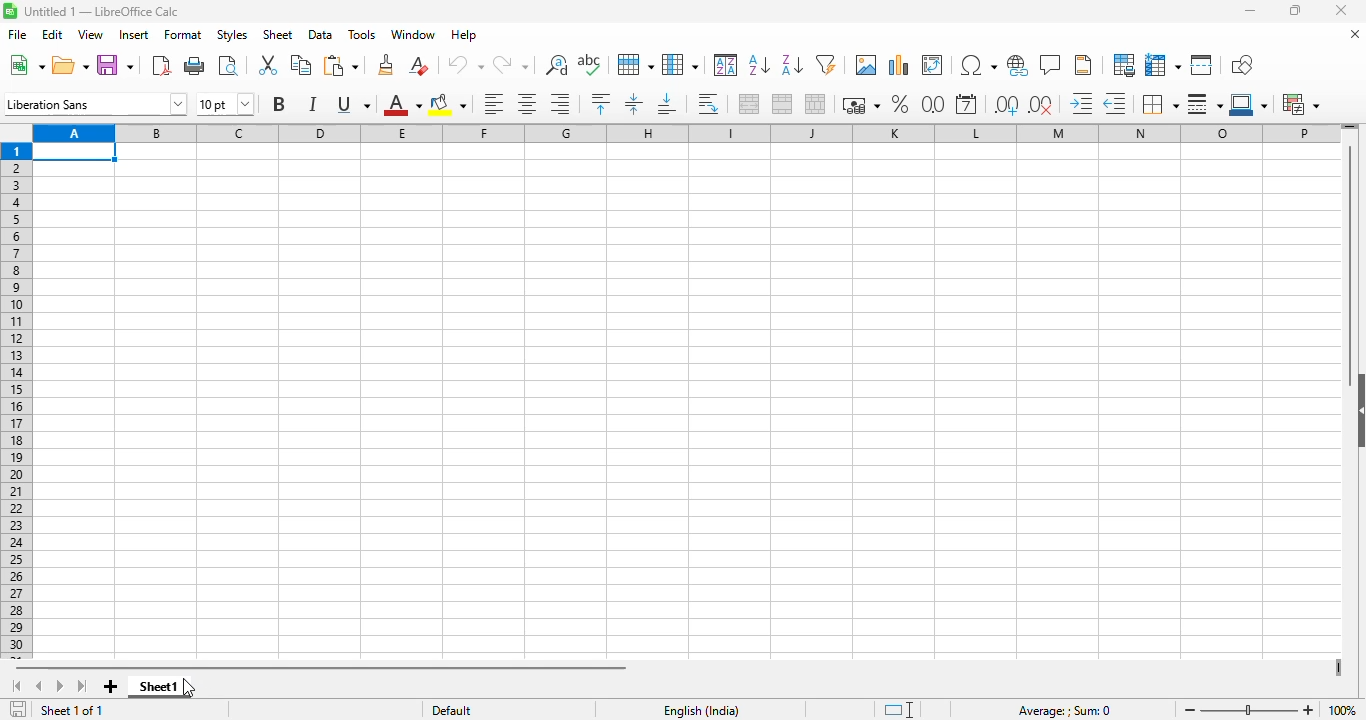  Describe the element at coordinates (700, 710) in the screenshot. I see `English (India)` at that location.